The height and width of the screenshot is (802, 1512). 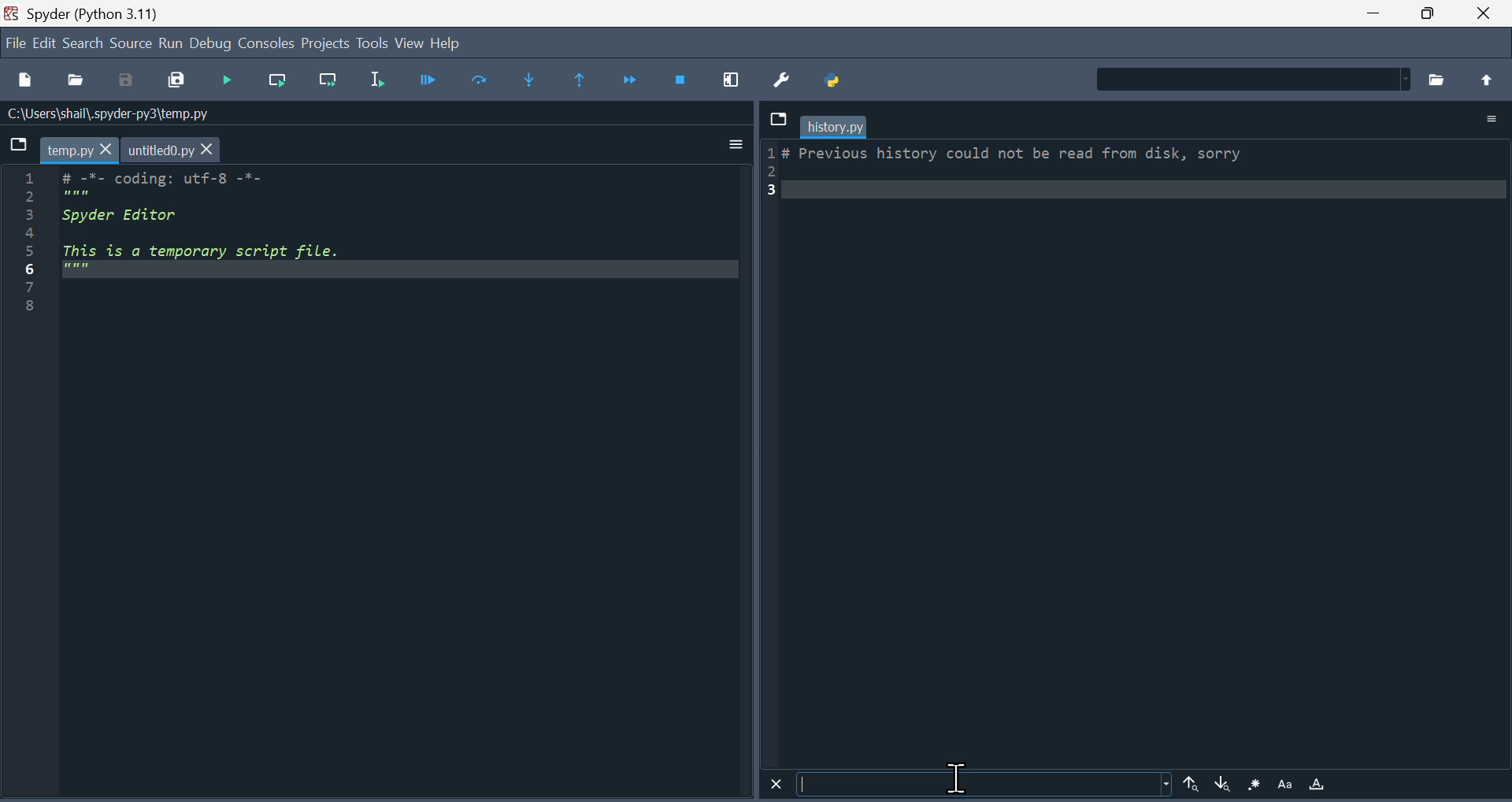 I want to click on Stop debugging, so click(x=686, y=76).